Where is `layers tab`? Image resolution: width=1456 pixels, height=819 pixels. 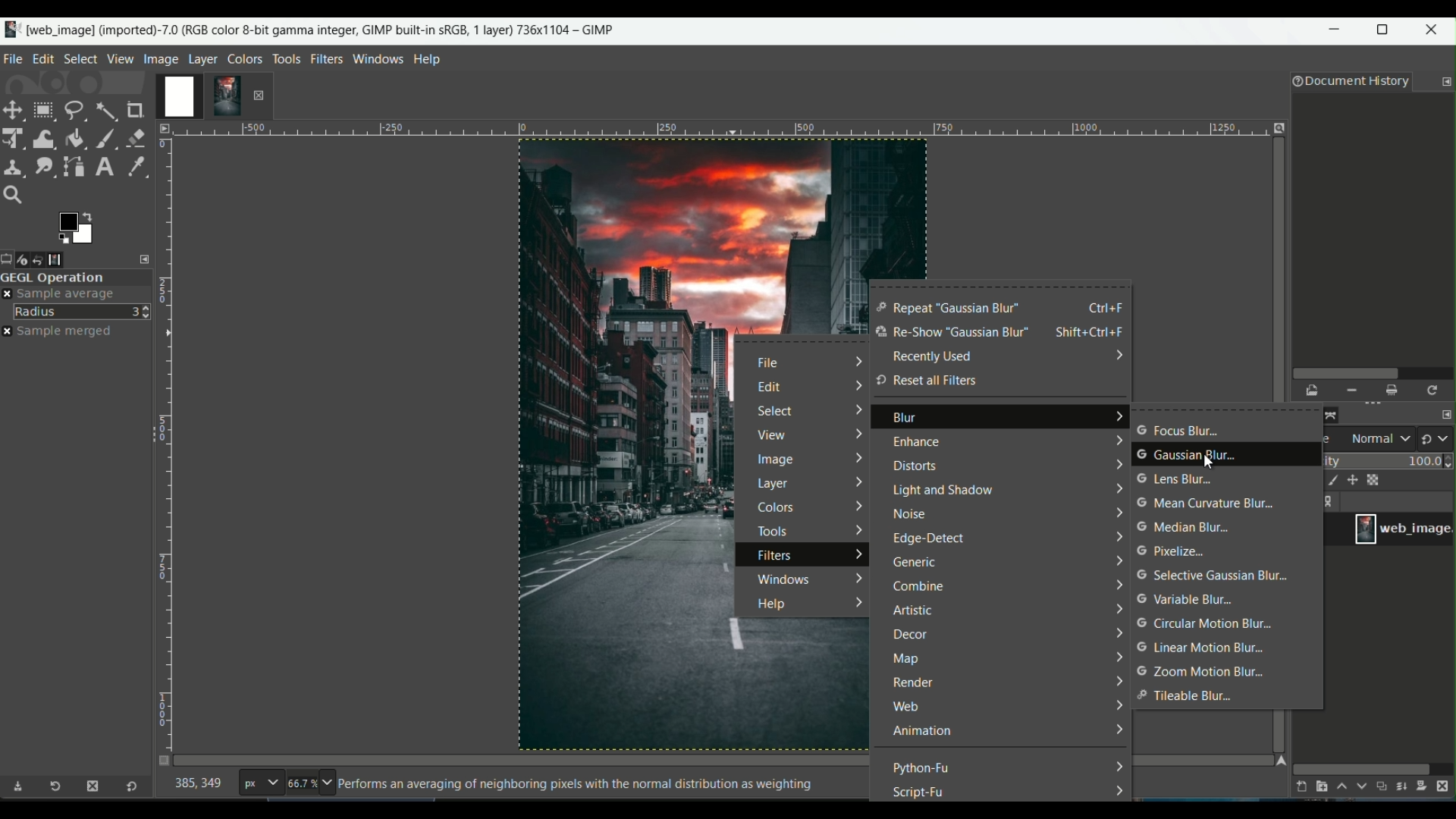 layers tab is located at coordinates (205, 58).